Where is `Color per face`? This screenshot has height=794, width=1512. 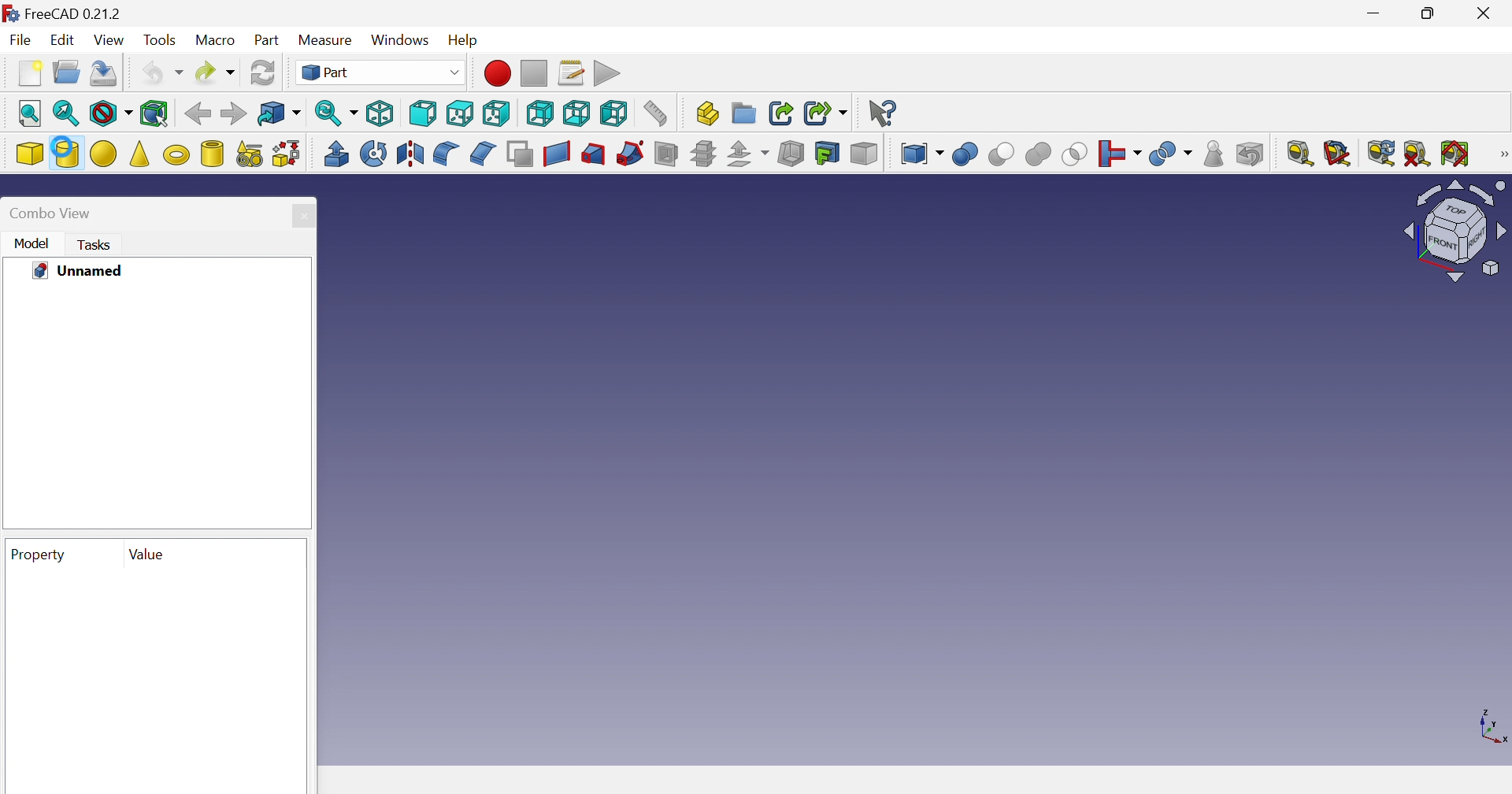
Color per face is located at coordinates (865, 155).